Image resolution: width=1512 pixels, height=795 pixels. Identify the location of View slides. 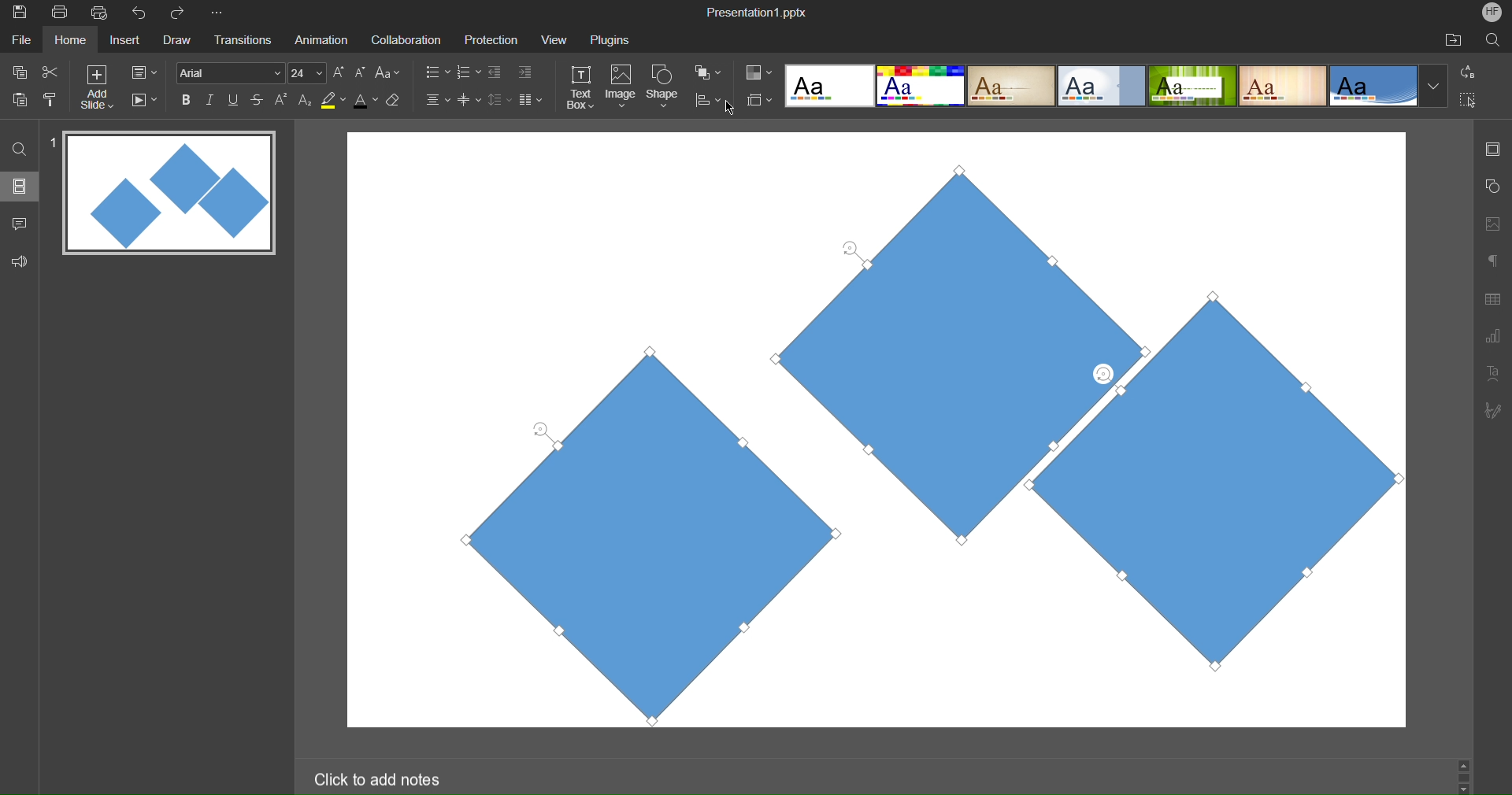
(19, 185).